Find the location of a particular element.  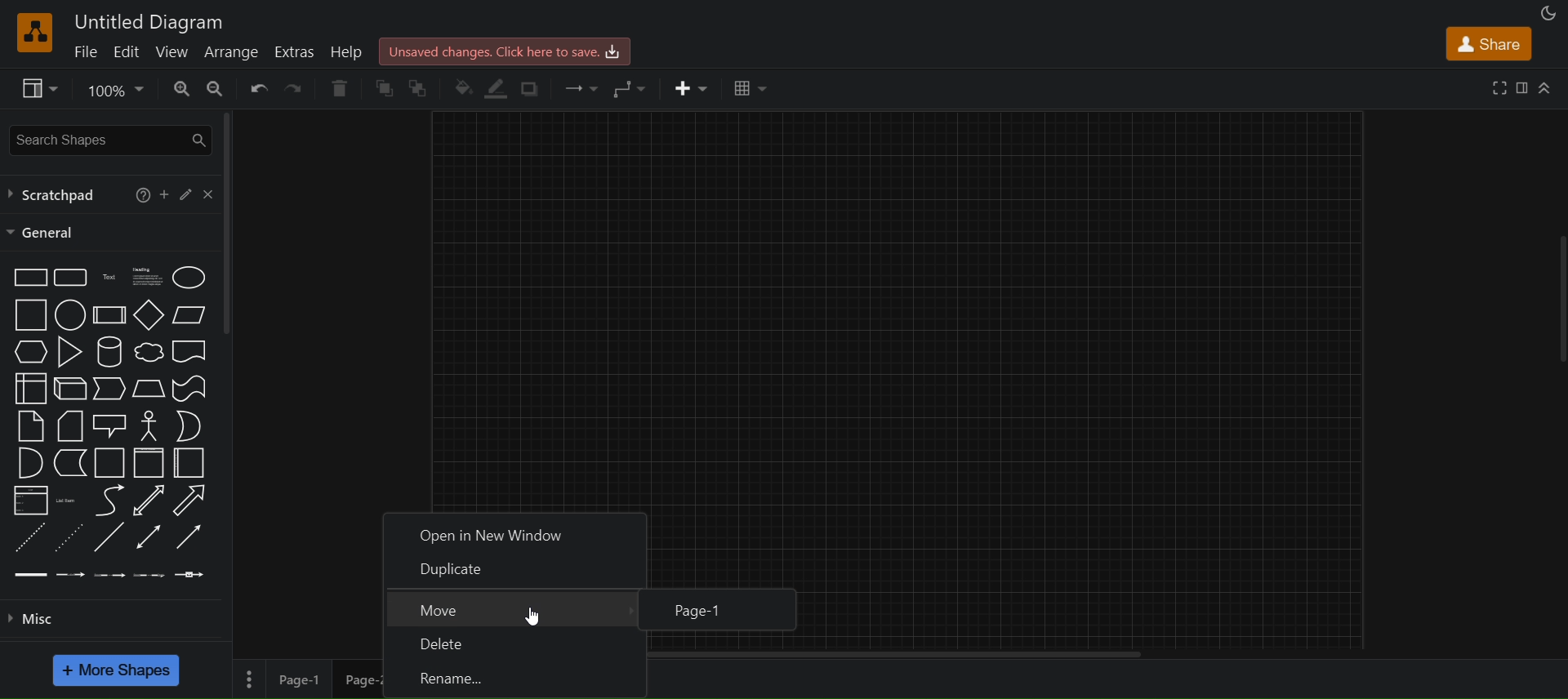

full screen is located at coordinates (1501, 87).